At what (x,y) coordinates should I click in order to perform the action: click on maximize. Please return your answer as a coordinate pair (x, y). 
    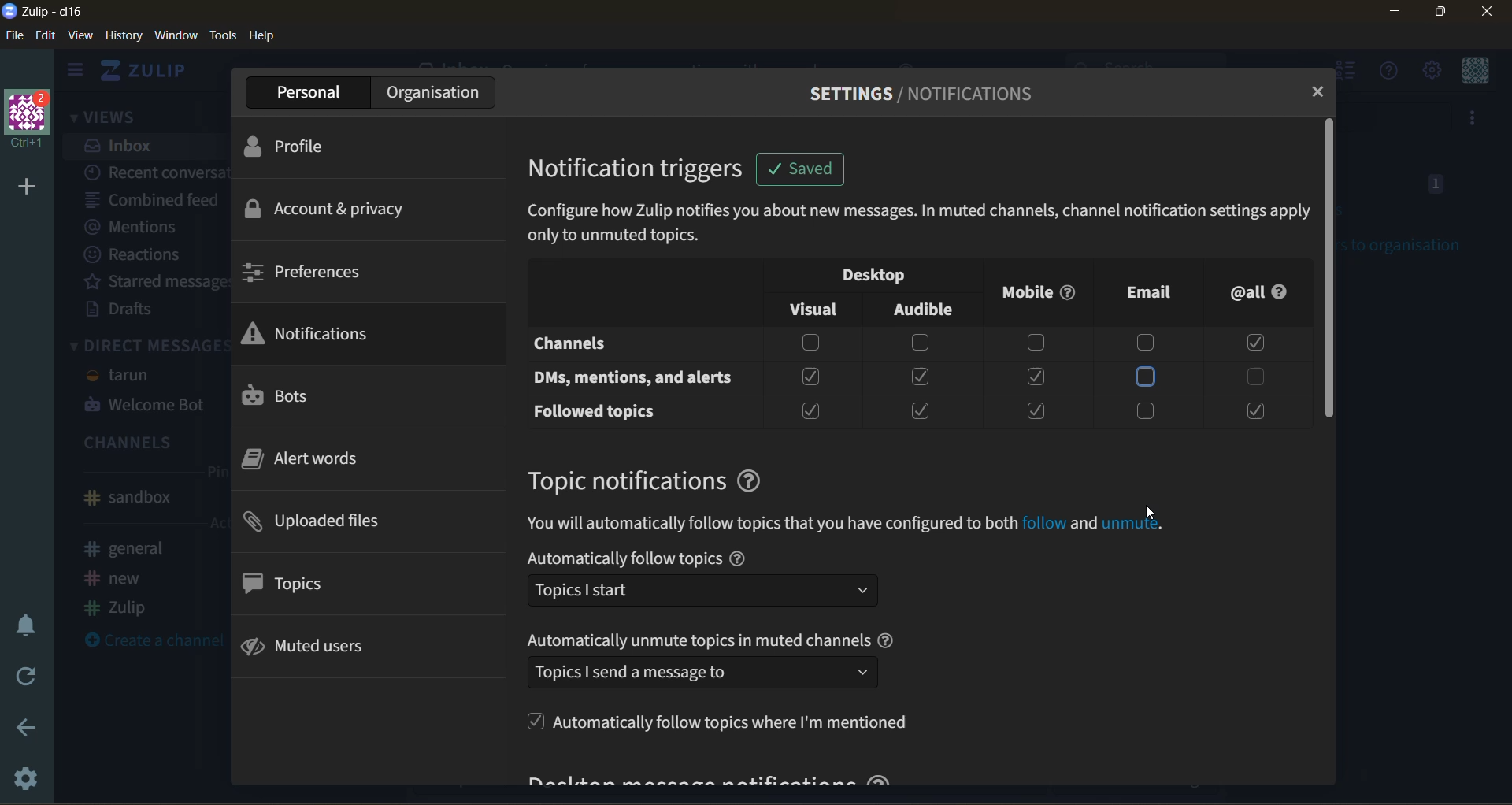
    Looking at the image, I should click on (1440, 15).